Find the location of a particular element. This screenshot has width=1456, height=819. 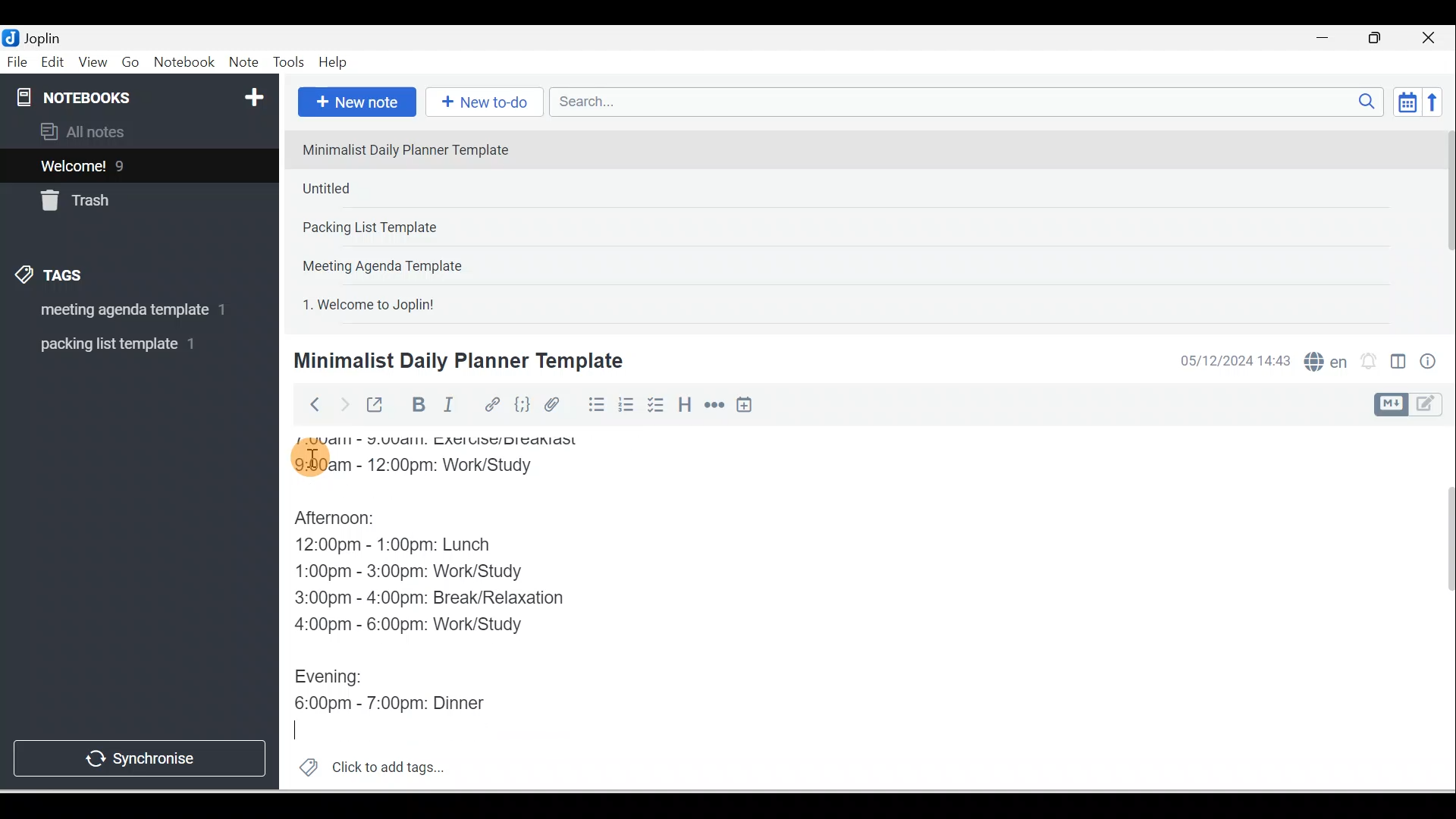

Forward is located at coordinates (343, 403).